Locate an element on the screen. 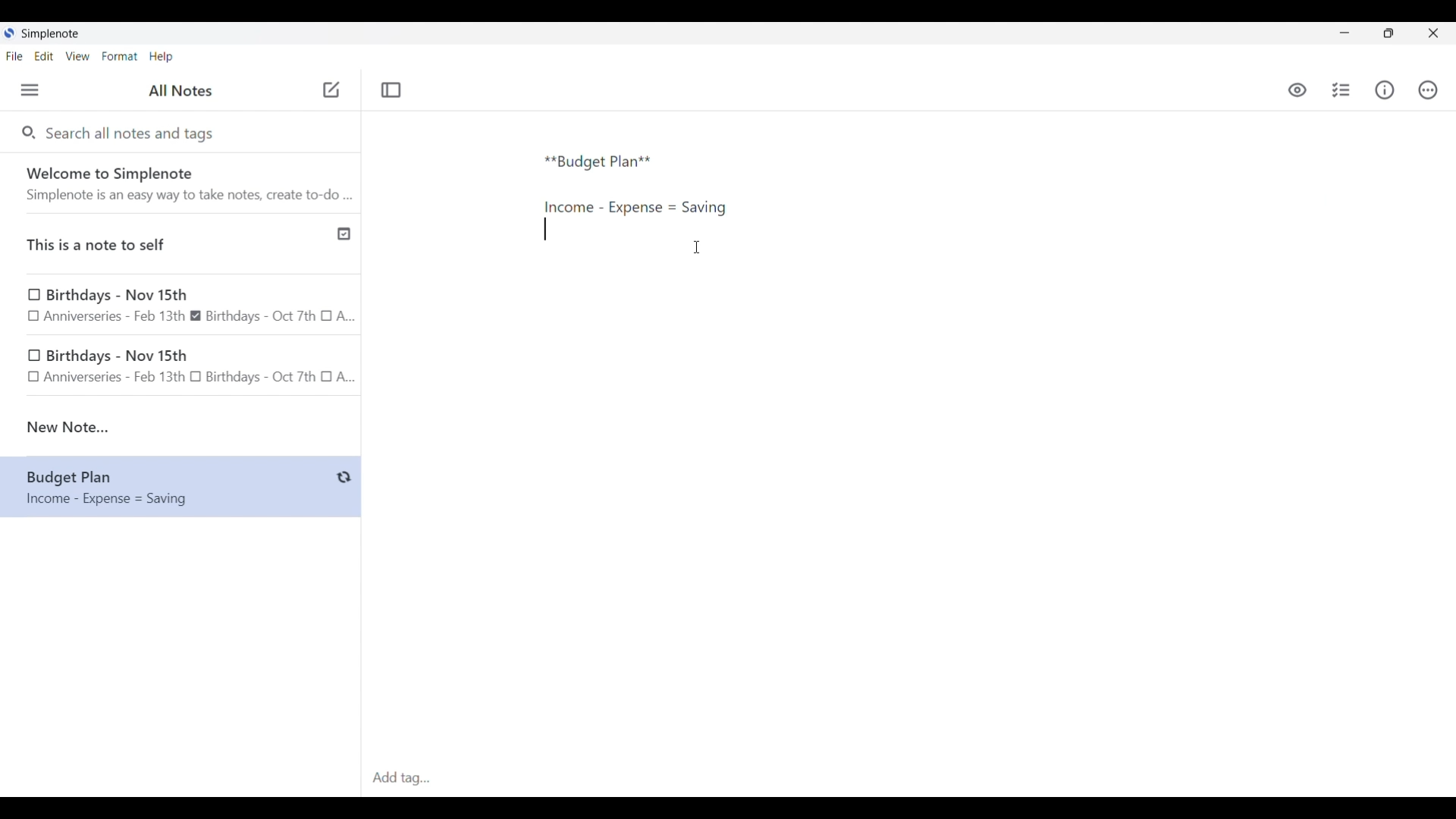  Edit menu is located at coordinates (45, 55).